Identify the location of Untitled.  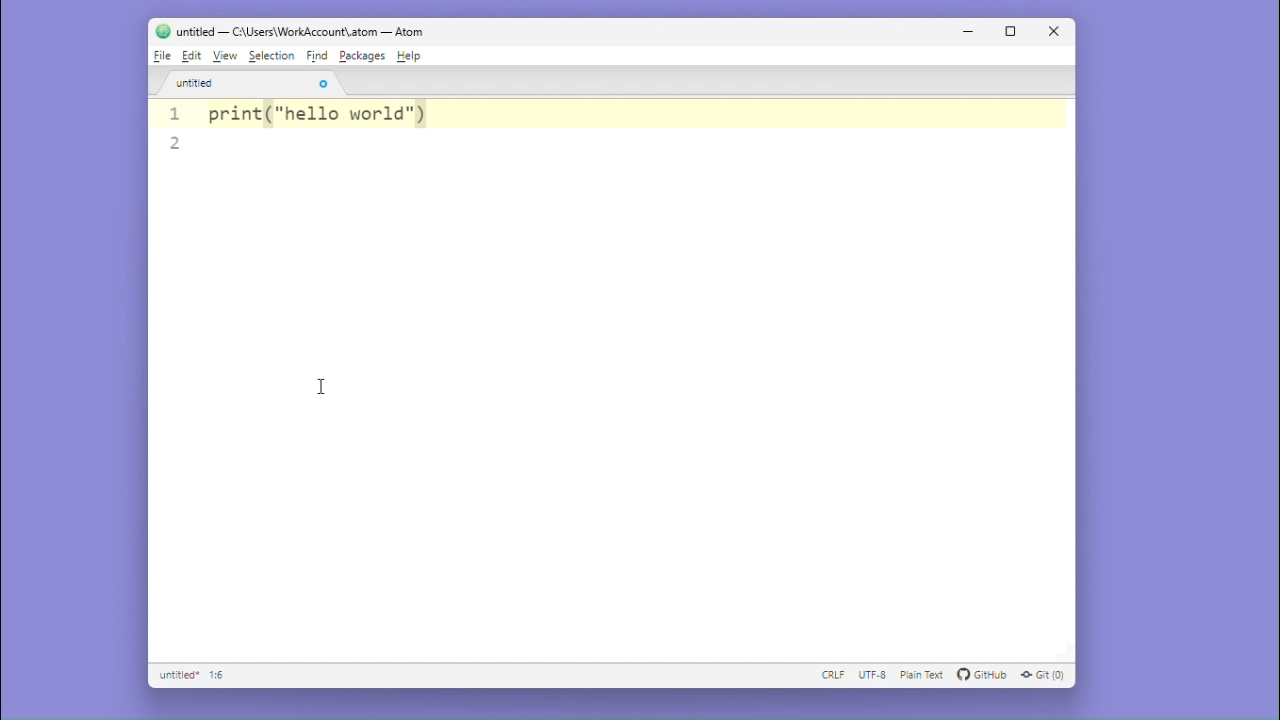
(180, 676).